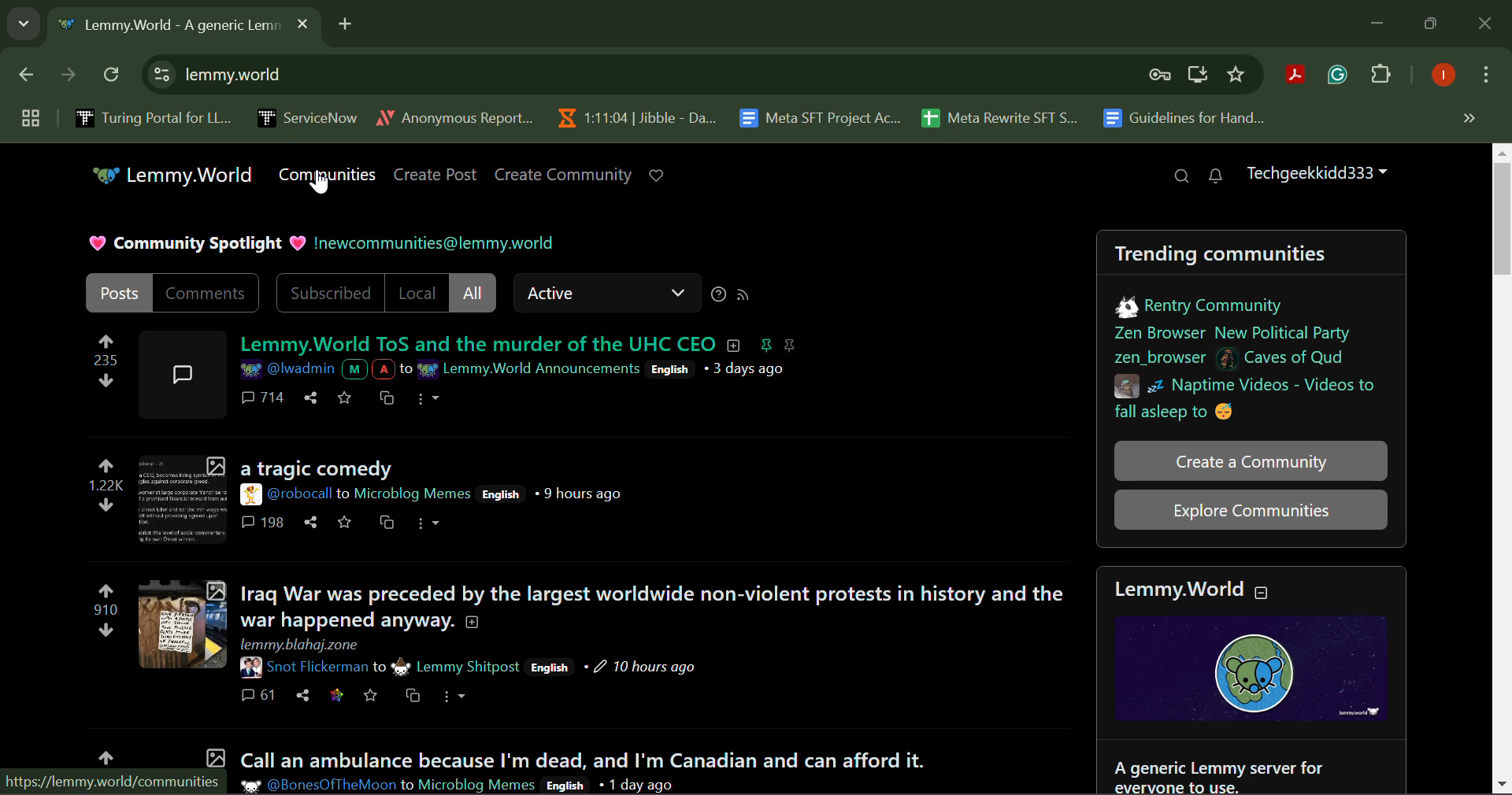 Image resolution: width=1512 pixels, height=795 pixels. I want to click on Save, so click(346, 395).